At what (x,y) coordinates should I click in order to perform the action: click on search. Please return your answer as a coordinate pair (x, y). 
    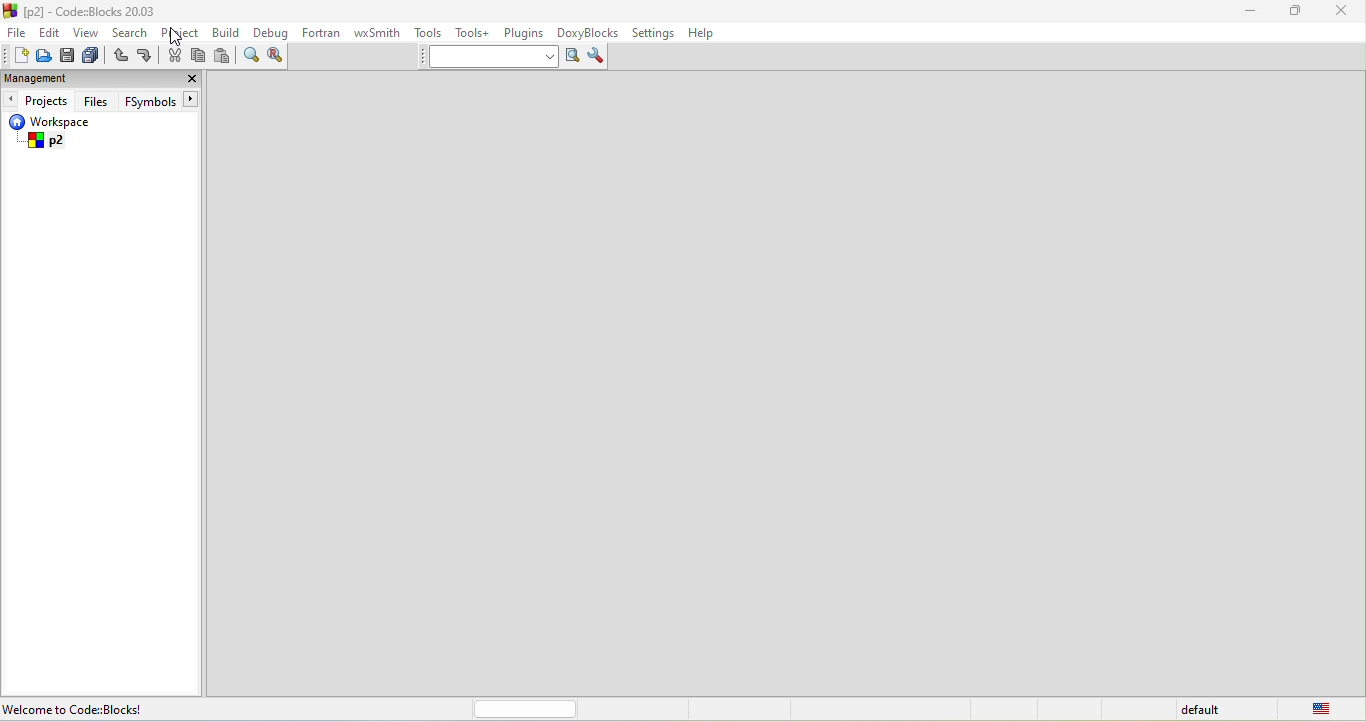
    Looking at the image, I should click on (130, 31).